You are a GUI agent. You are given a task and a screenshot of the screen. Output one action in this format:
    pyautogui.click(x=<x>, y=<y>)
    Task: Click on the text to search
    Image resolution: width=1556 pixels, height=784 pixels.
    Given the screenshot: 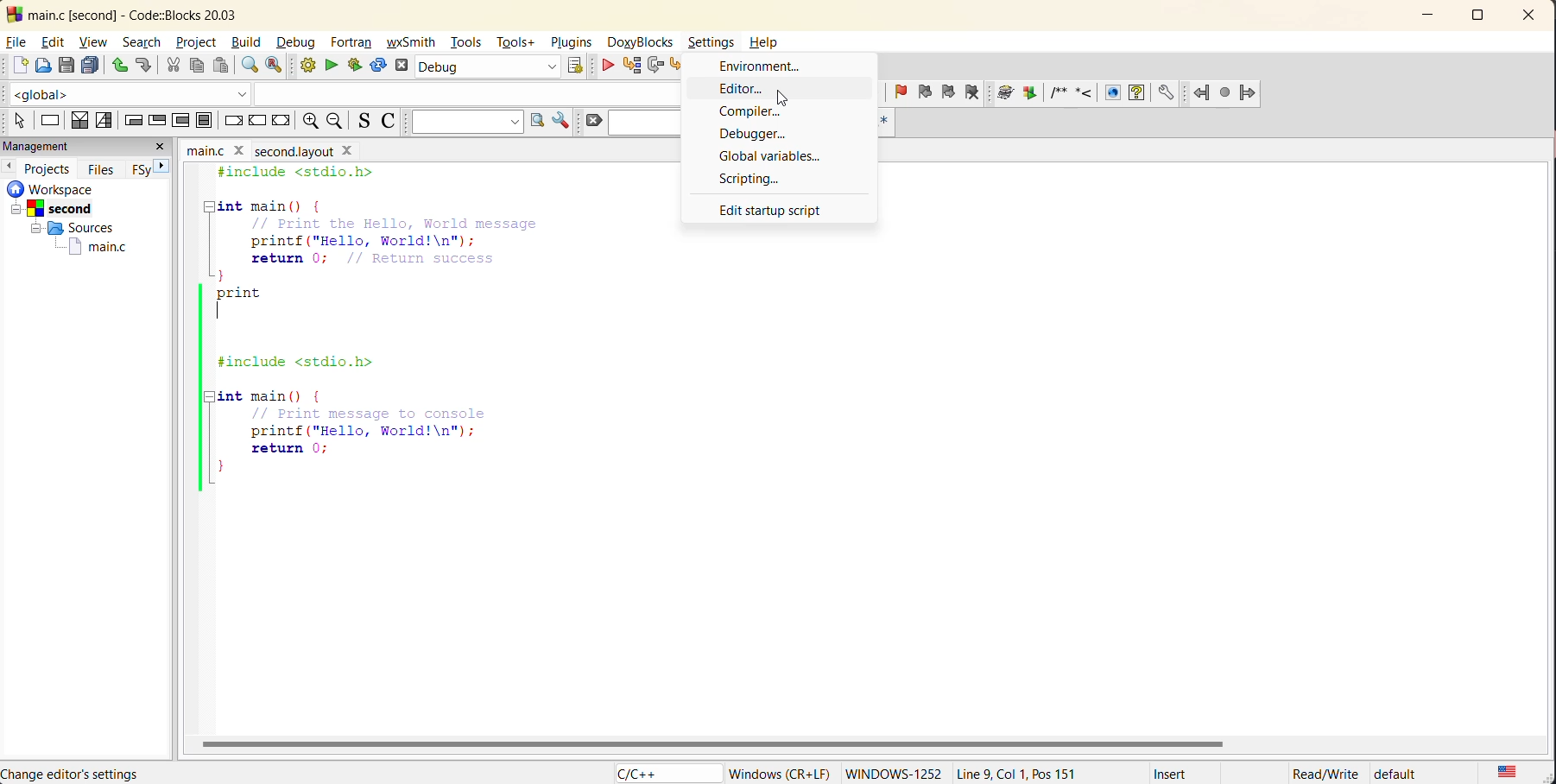 What is the action you would take?
    pyautogui.click(x=465, y=126)
    